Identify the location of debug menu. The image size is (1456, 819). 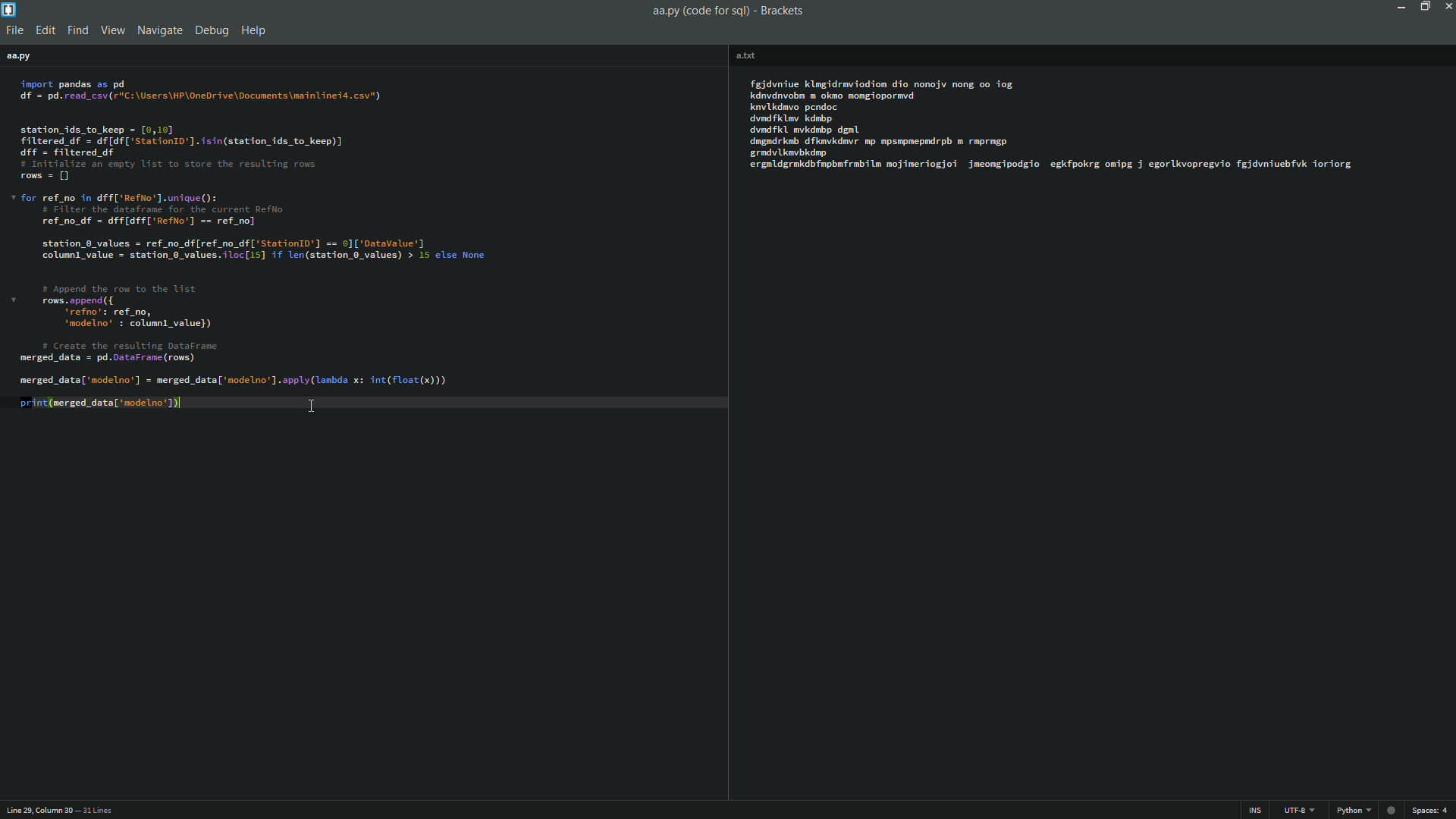
(212, 31).